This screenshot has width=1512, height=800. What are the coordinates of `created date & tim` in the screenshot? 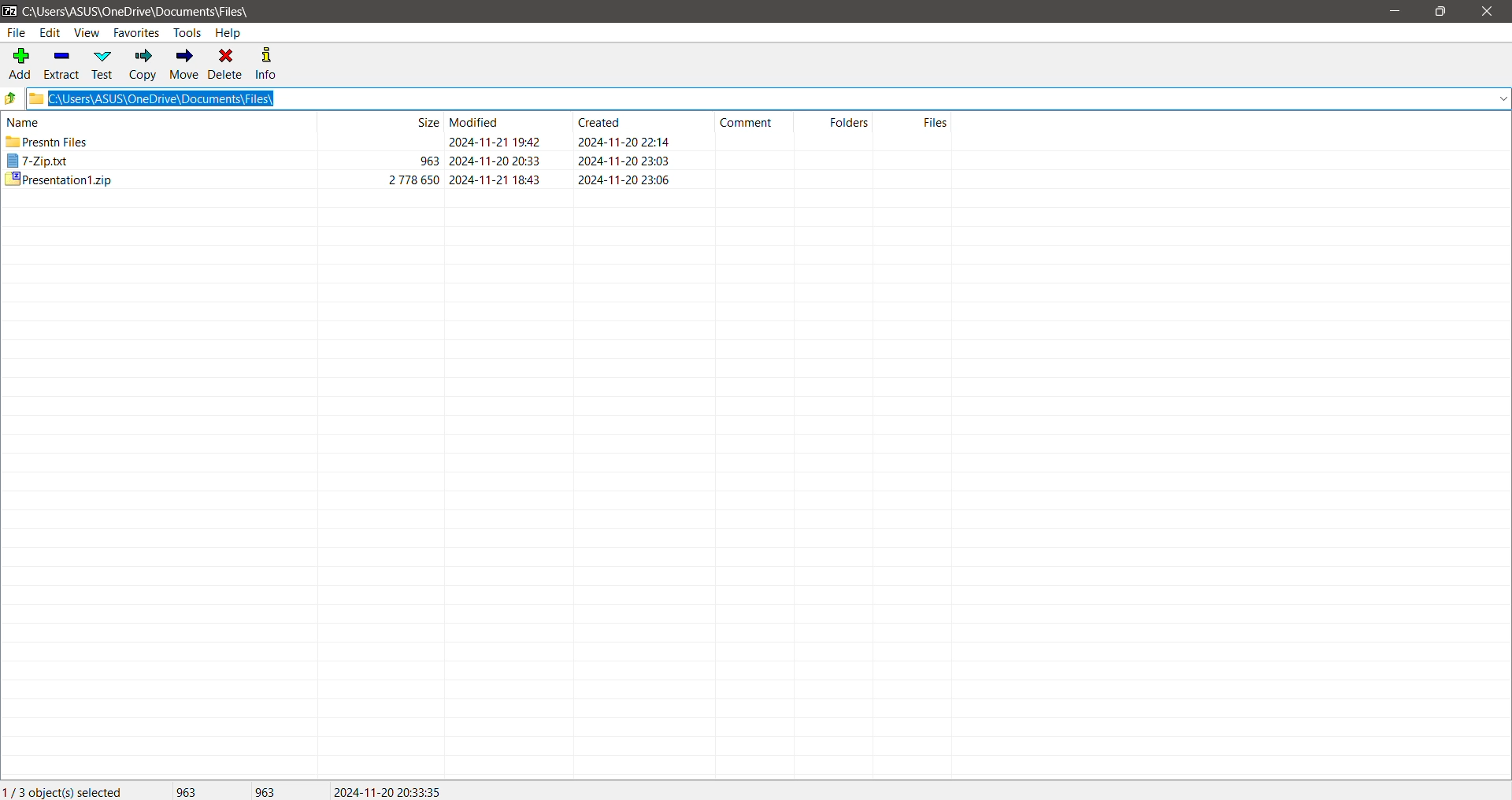 It's located at (625, 160).